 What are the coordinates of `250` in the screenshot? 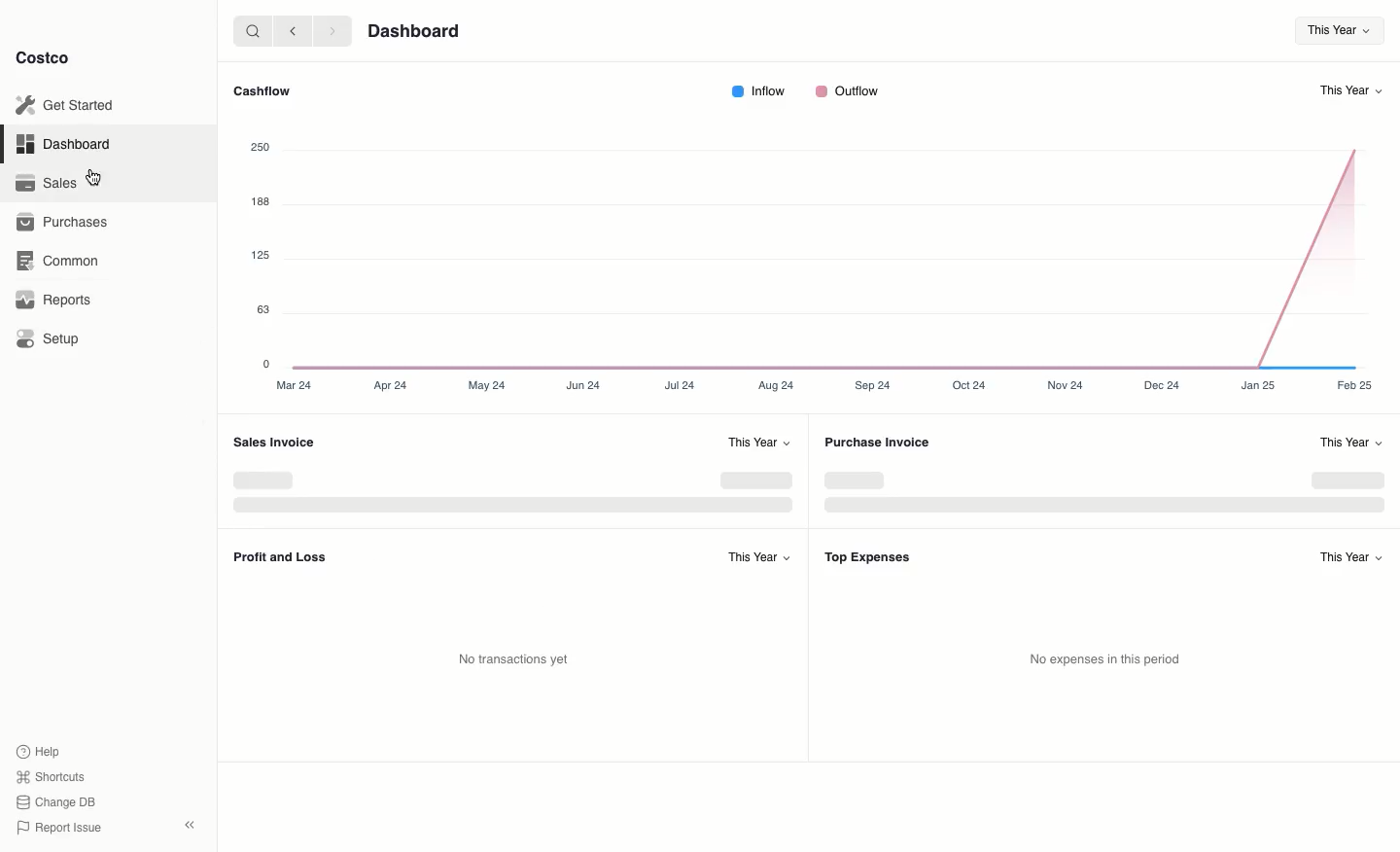 It's located at (261, 148).